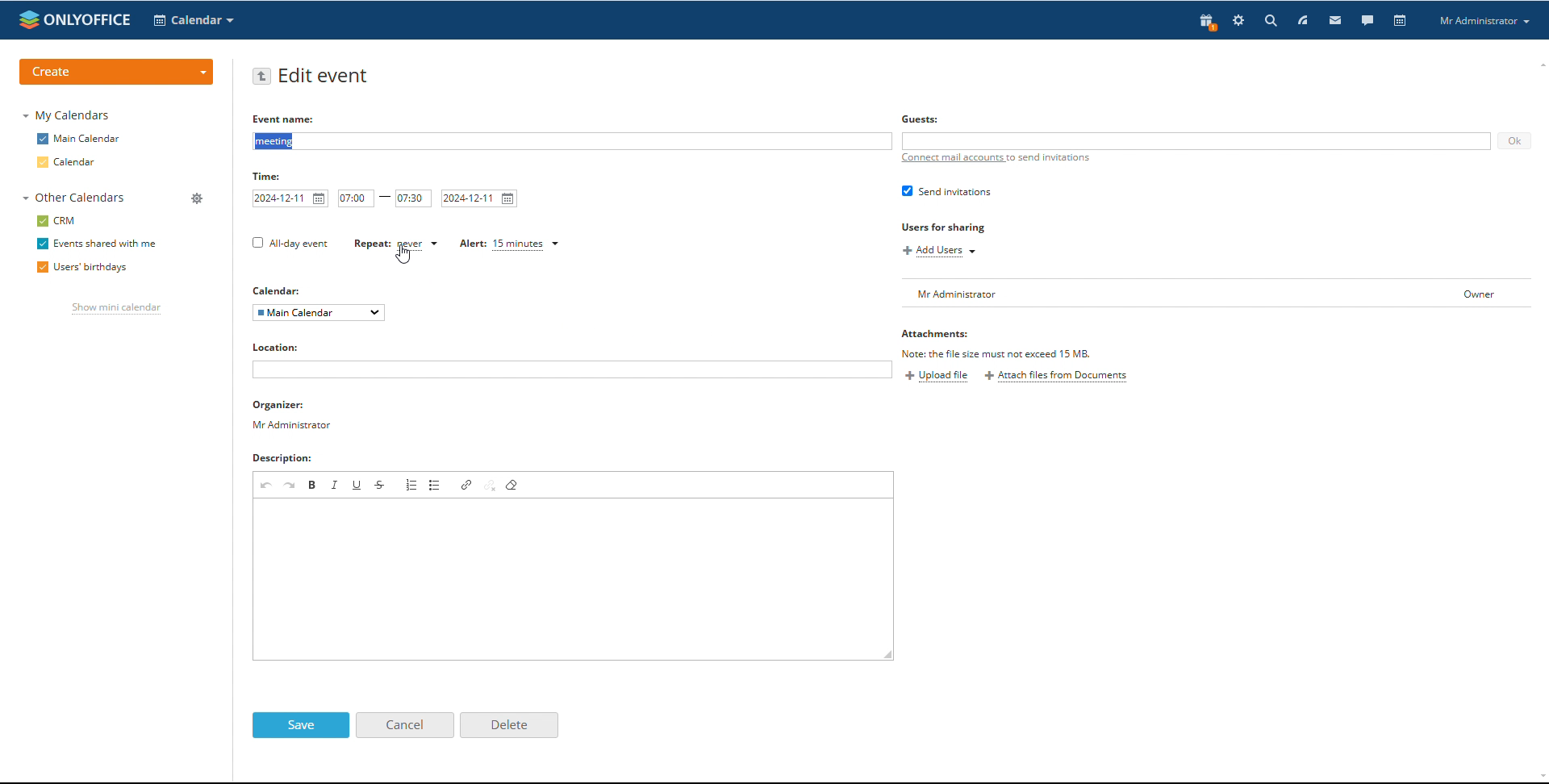 Image resolution: width=1549 pixels, height=784 pixels. Describe the element at coordinates (1514, 141) in the screenshot. I see `ok` at that location.